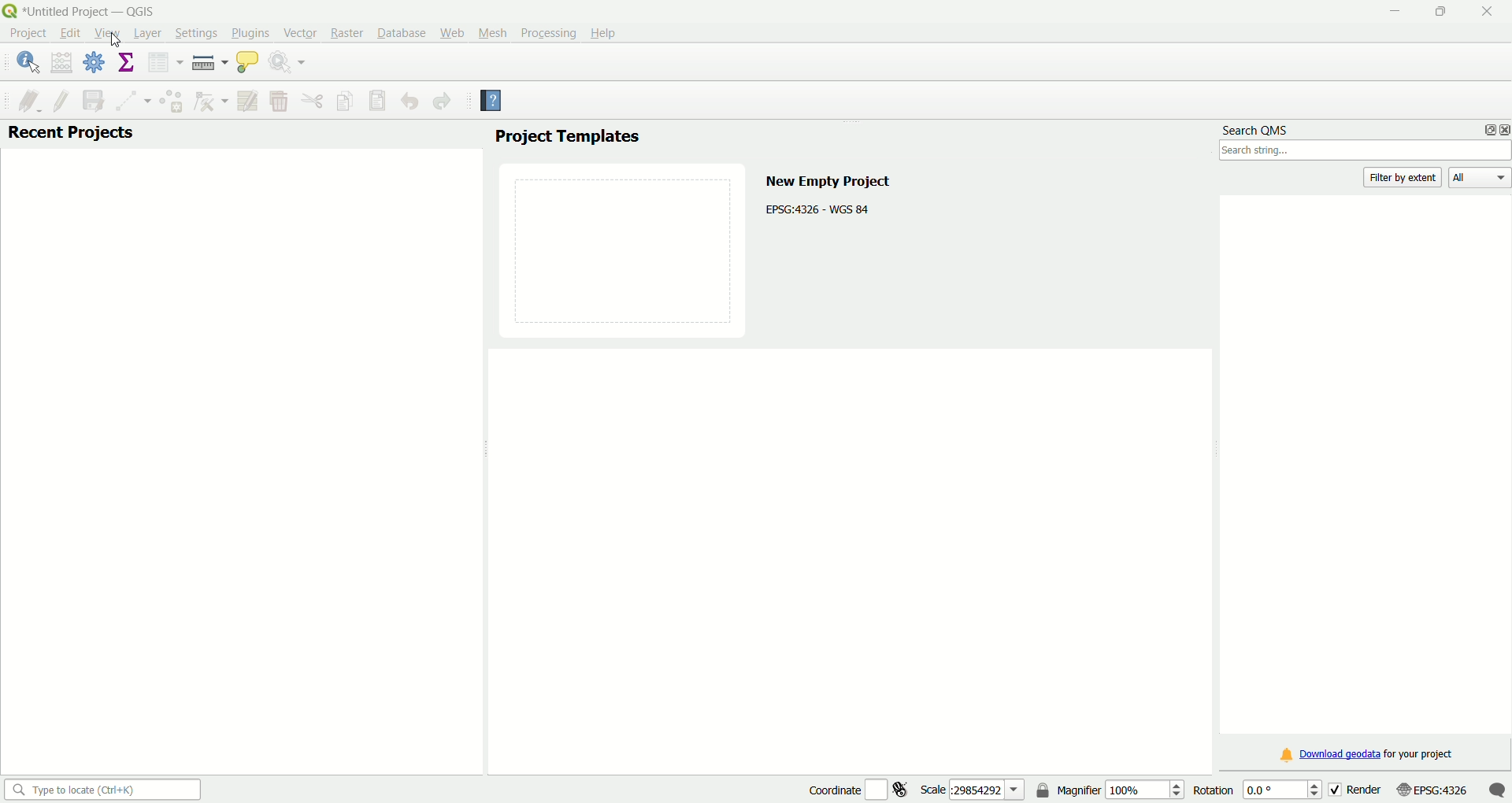 Image resolution: width=1512 pixels, height=803 pixels. I want to click on EPSG:4326-WGS 84, so click(819, 208).